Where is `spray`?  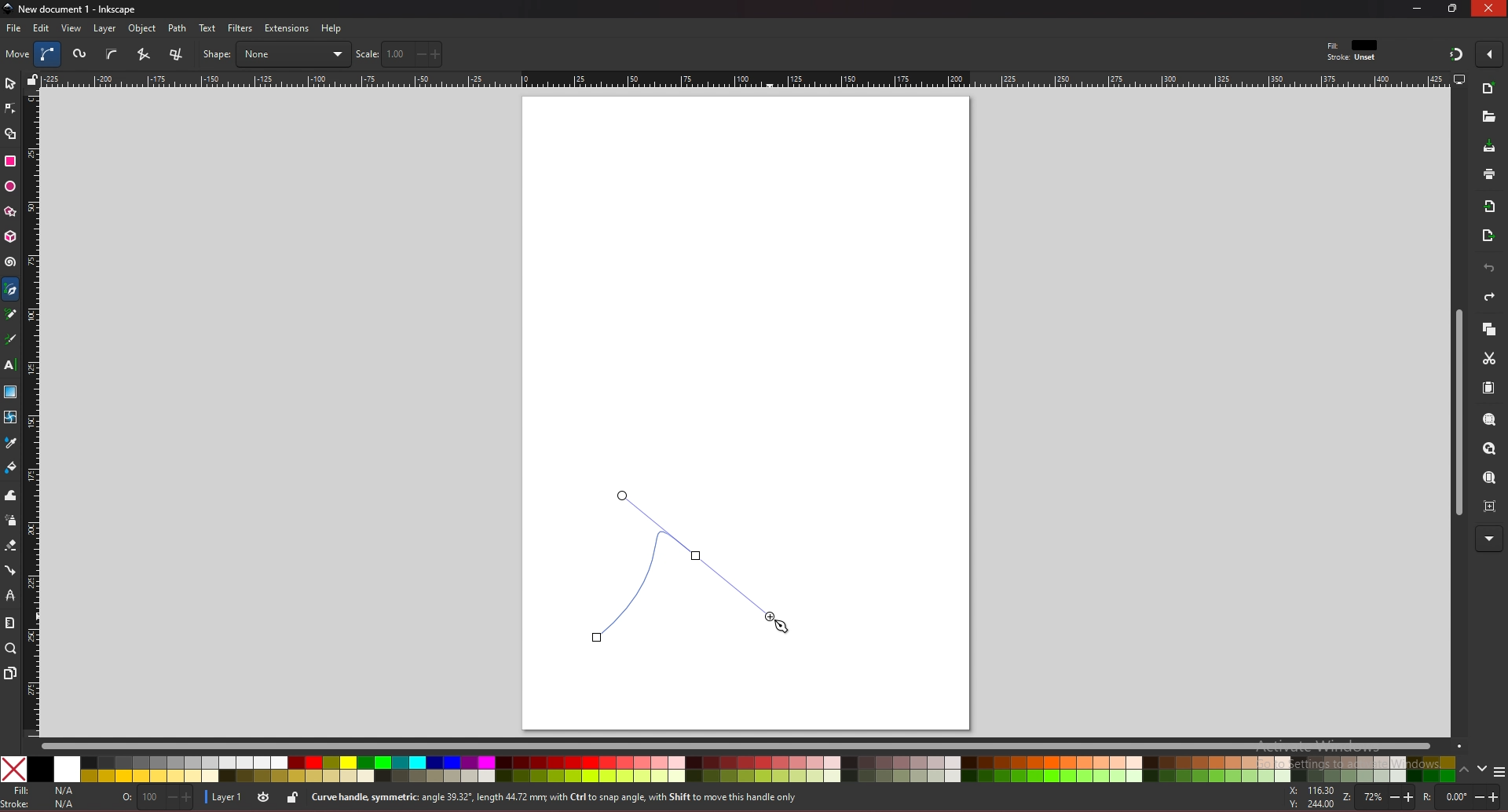 spray is located at coordinates (10, 521).